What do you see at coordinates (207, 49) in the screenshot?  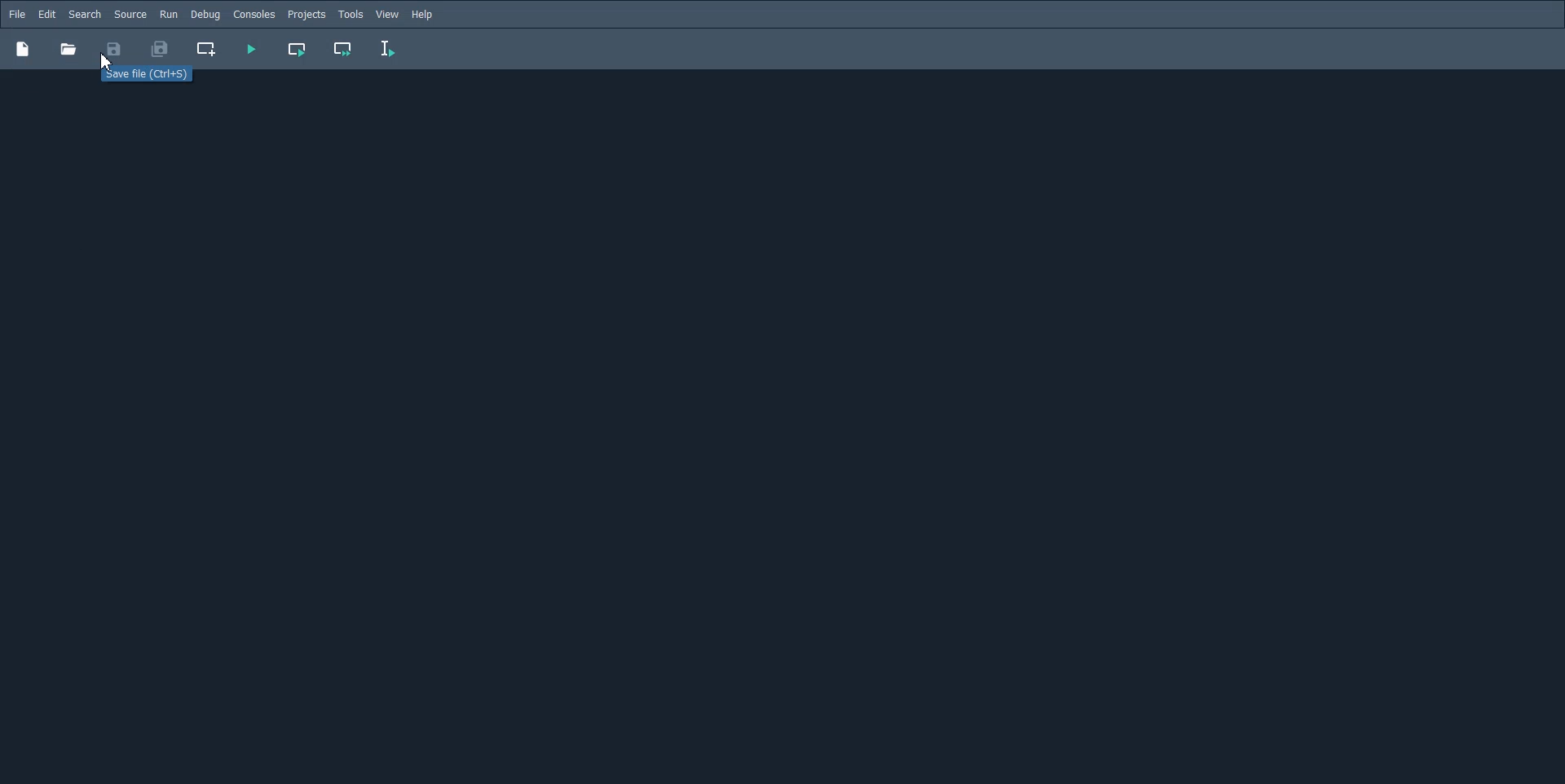 I see `Create new cell` at bounding box center [207, 49].